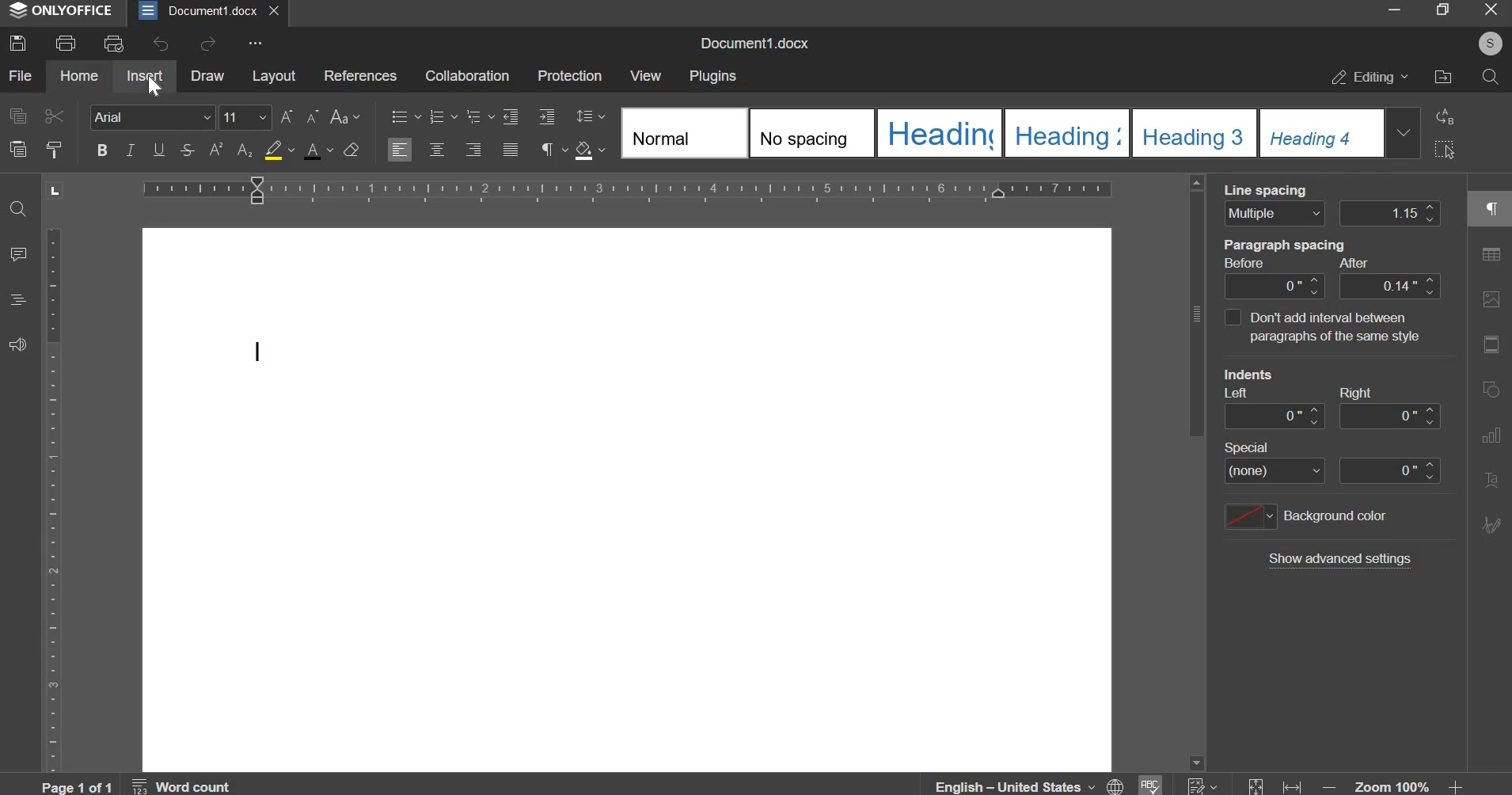  What do you see at coordinates (1272, 785) in the screenshot?
I see `fit` at bounding box center [1272, 785].